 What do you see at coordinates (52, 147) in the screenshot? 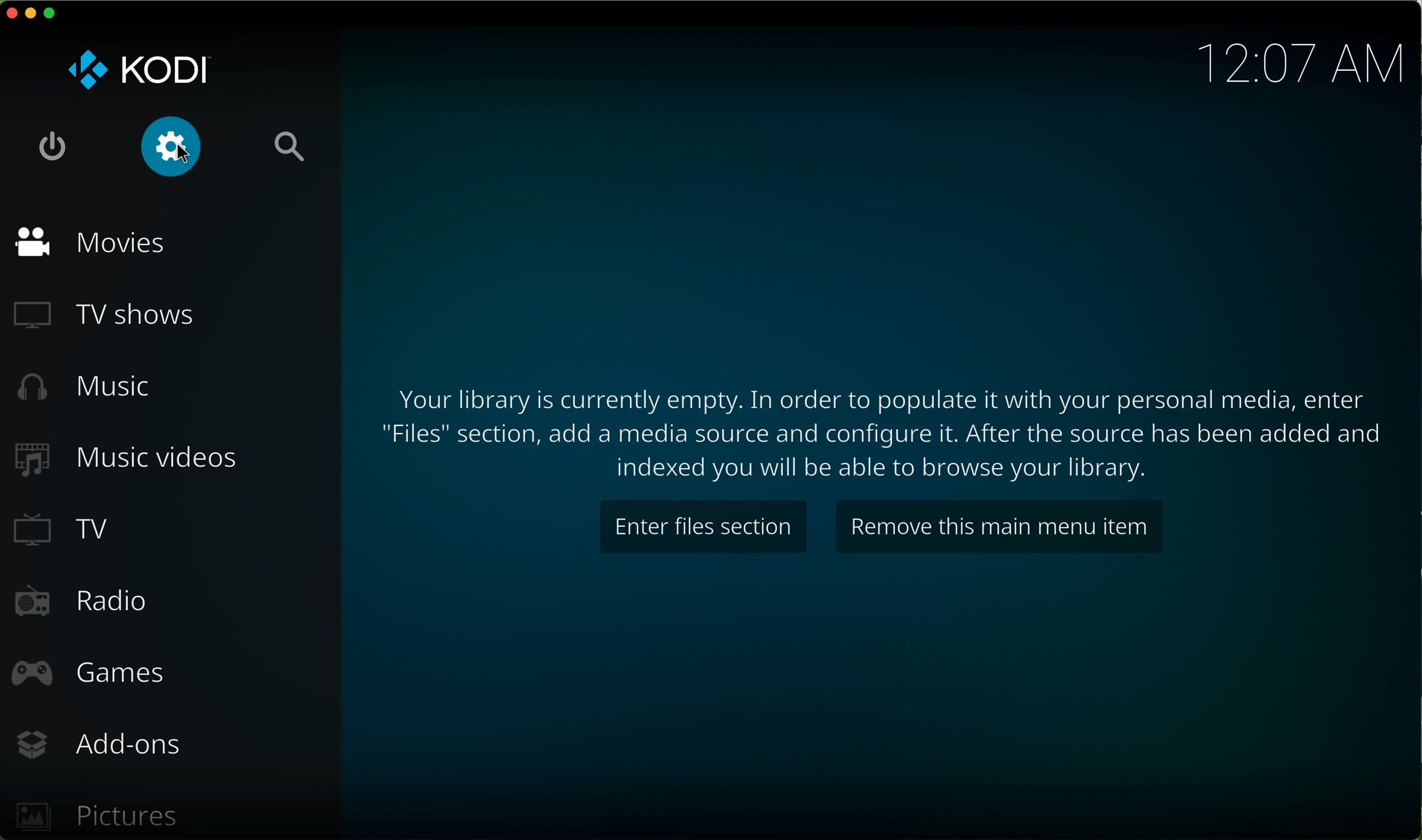
I see `shut down` at bounding box center [52, 147].